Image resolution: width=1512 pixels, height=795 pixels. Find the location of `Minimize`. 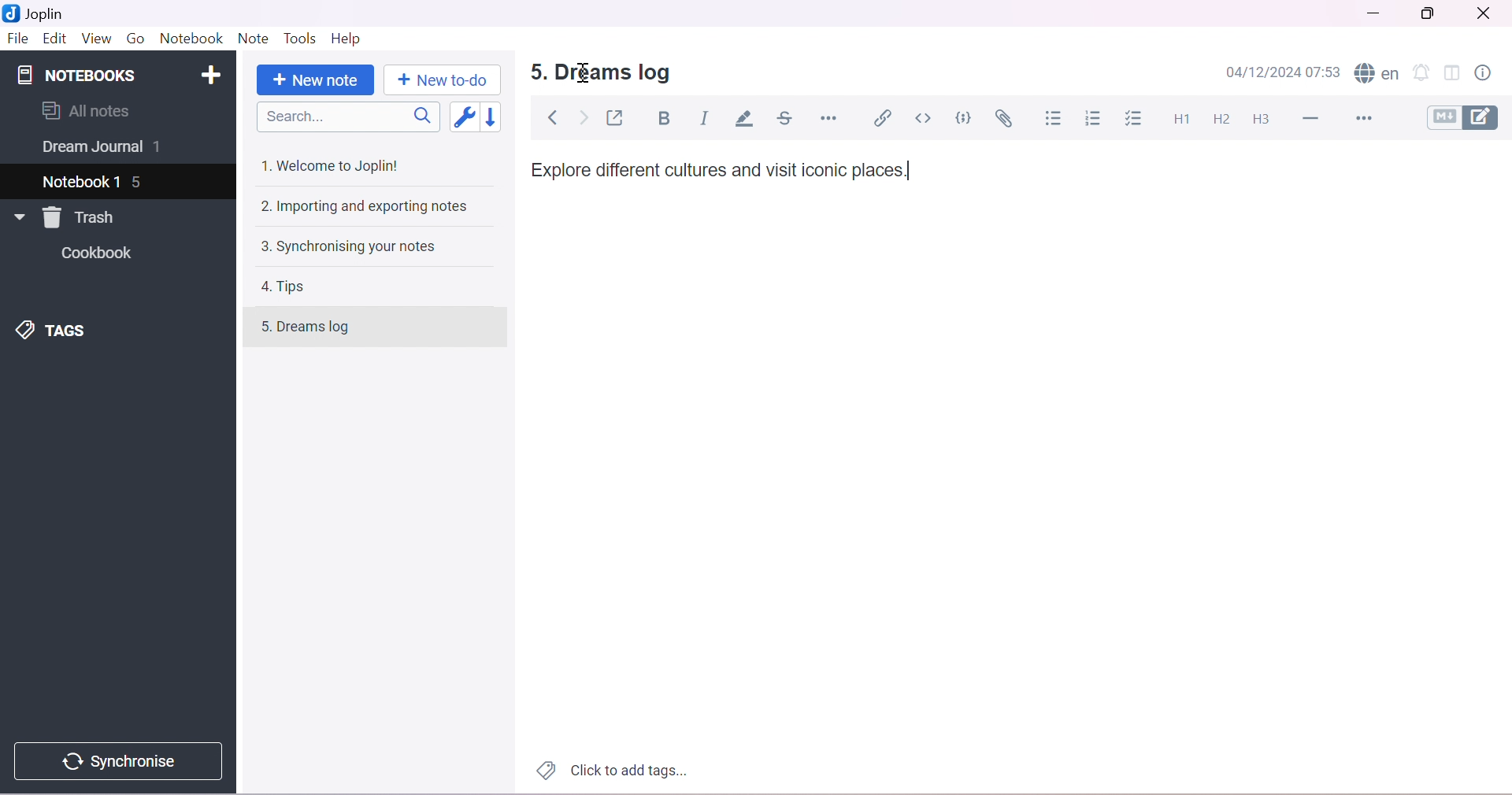

Minimize is located at coordinates (1371, 16).